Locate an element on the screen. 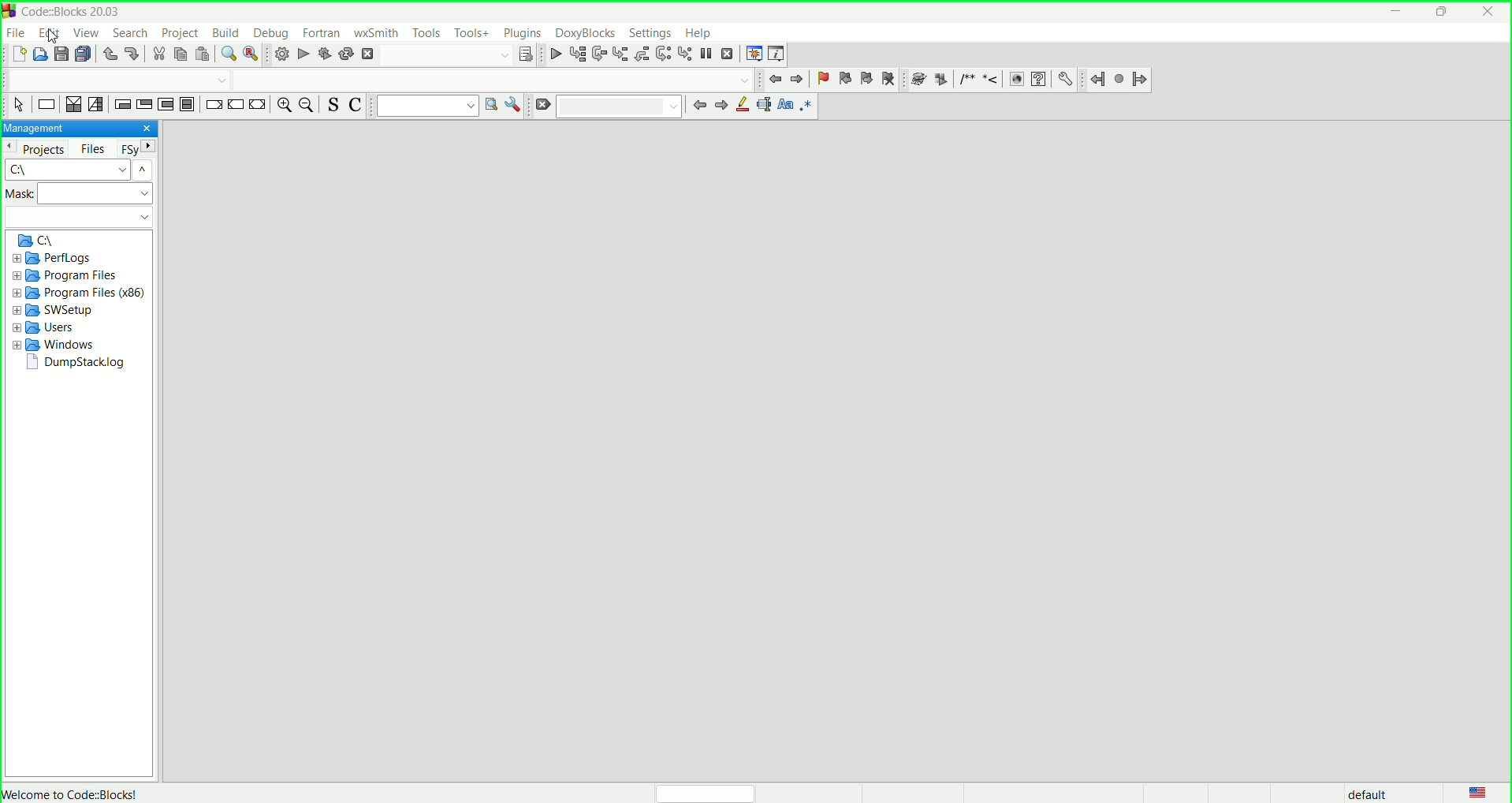 This screenshot has width=1512, height=803. prev is located at coordinates (699, 106).